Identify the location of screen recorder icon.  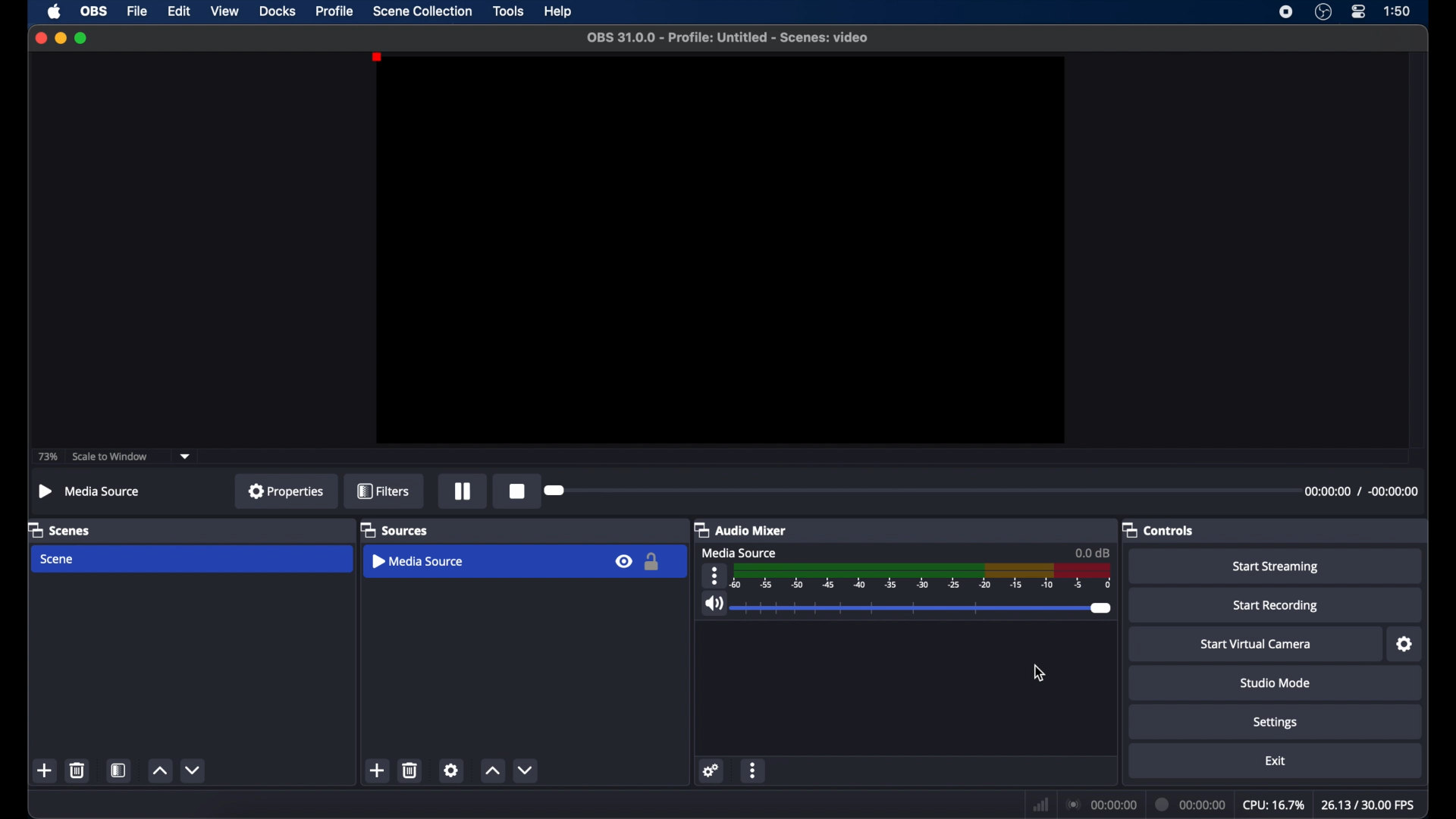
(1285, 12).